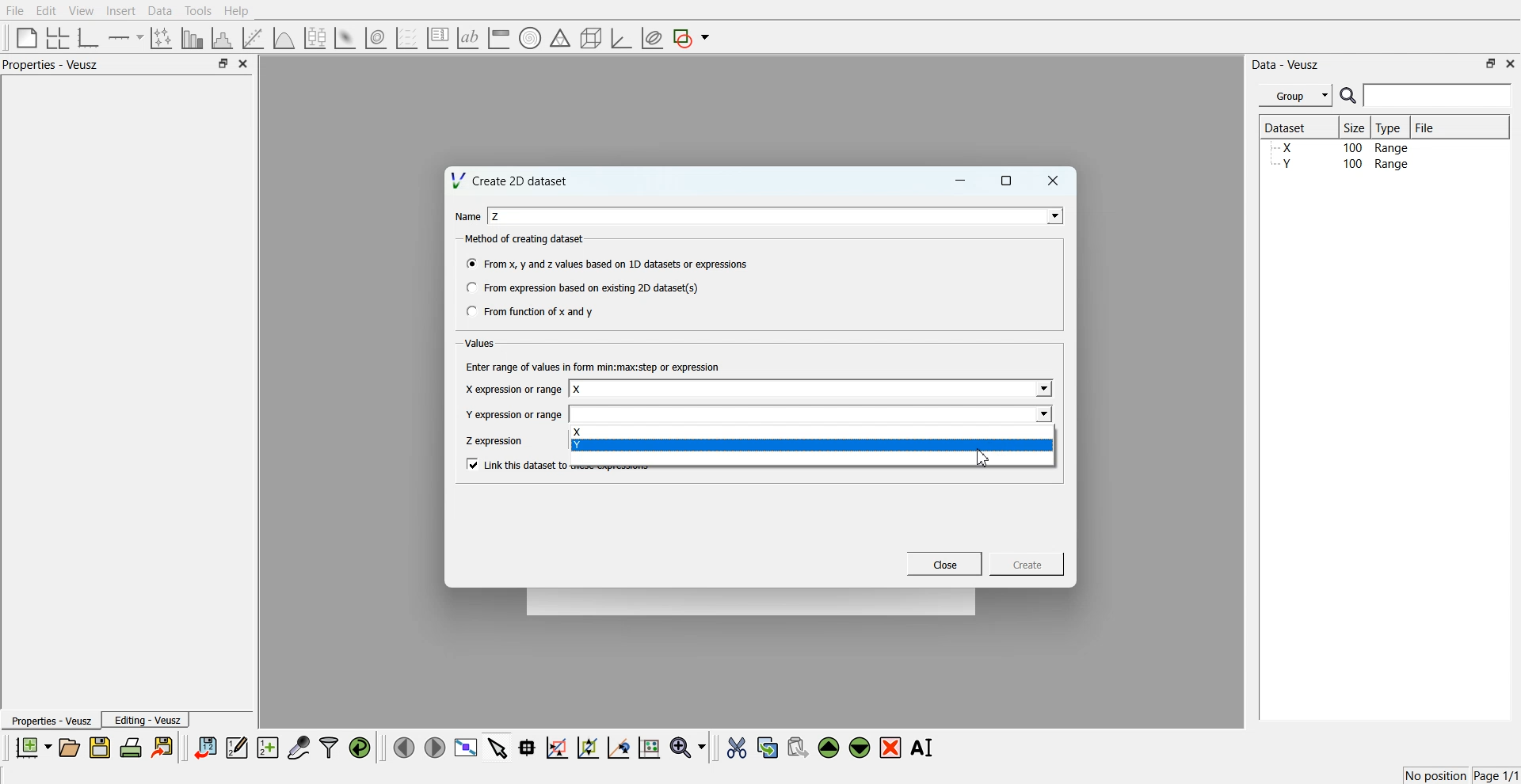 The image size is (1521, 784). What do you see at coordinates (199, 11) in the screenshot?
I see `Tools` at bounding box center [199, 11].